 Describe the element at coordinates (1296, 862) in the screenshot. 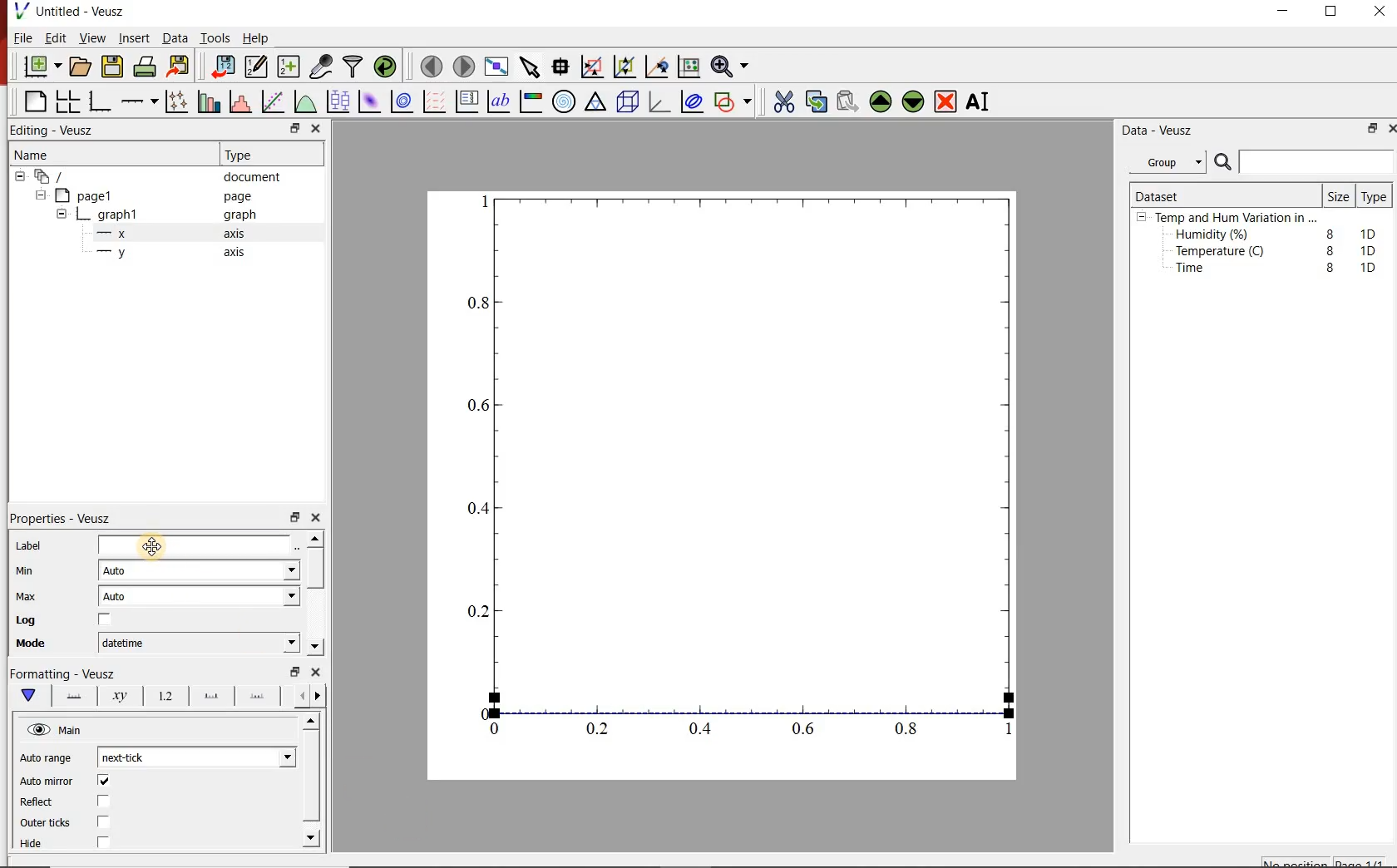

I see `No position` at that location.